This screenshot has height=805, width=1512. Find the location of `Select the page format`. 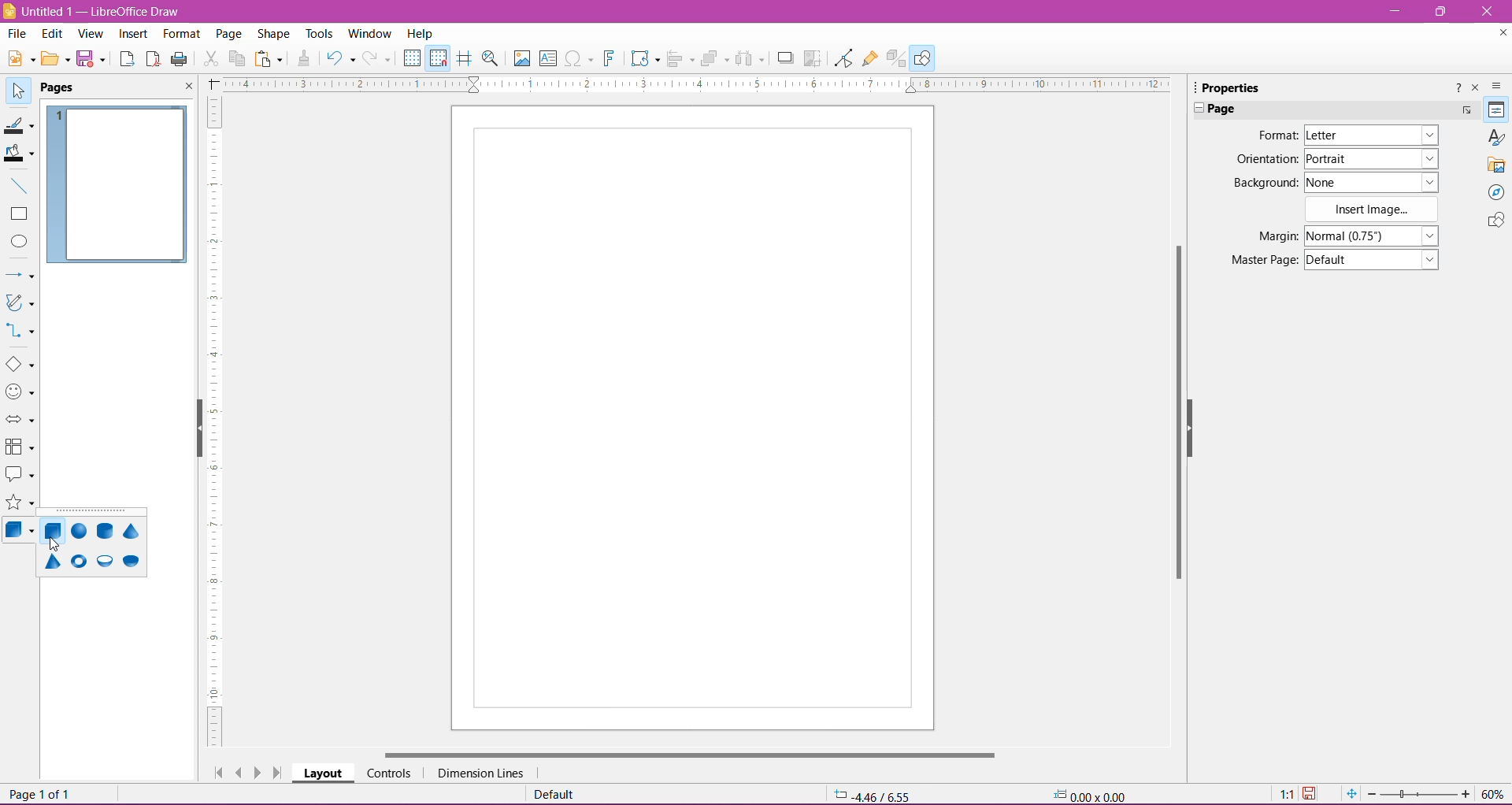

Select the page format is located at coordinates (1371, 137).